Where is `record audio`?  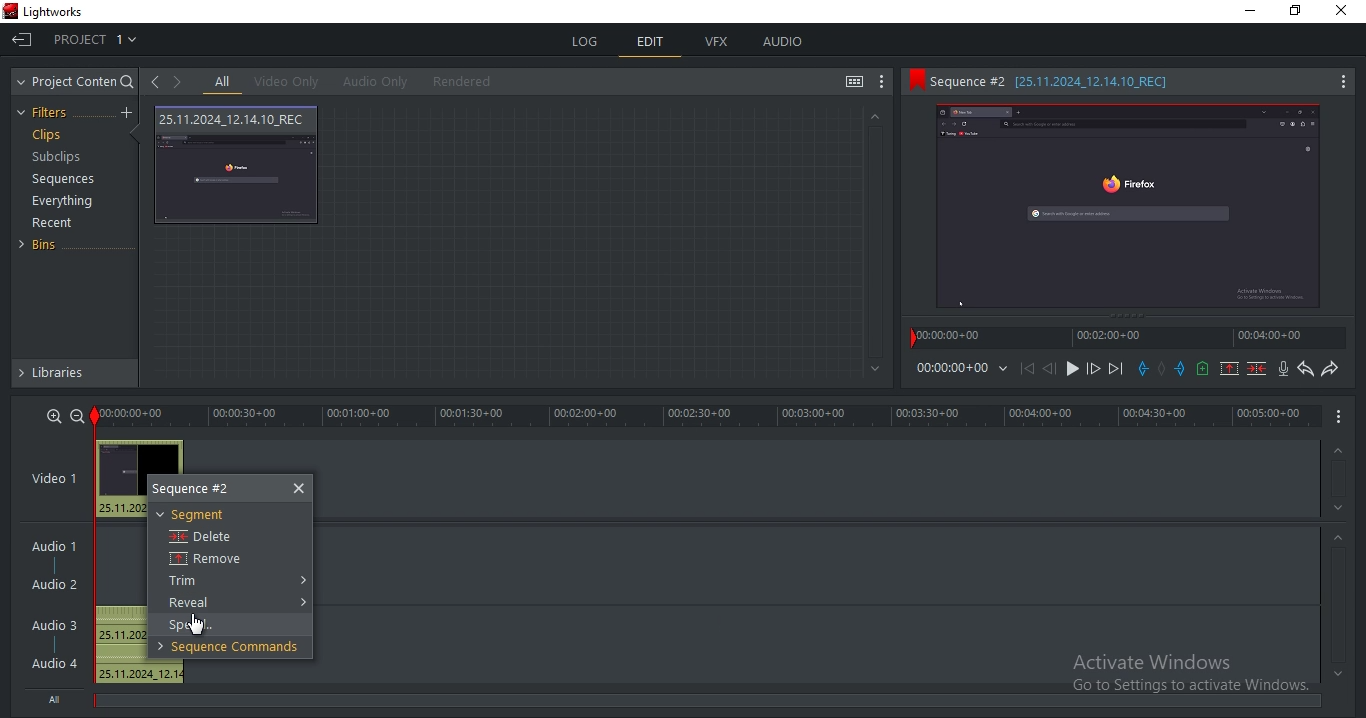 record audio is located at coordinates (1282, 370).